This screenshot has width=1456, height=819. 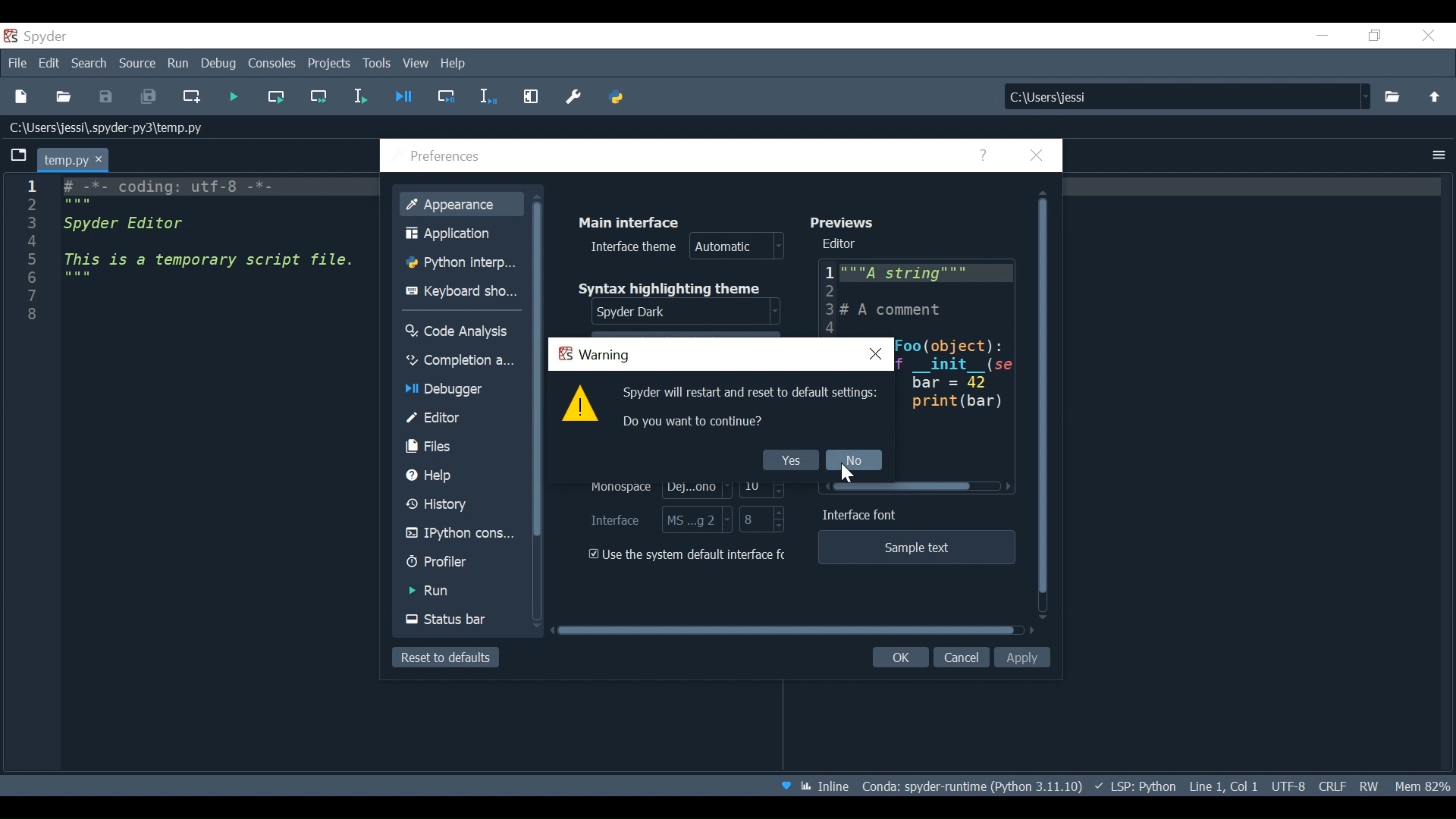 I want to click on File Path, so click(x=111, y=128).